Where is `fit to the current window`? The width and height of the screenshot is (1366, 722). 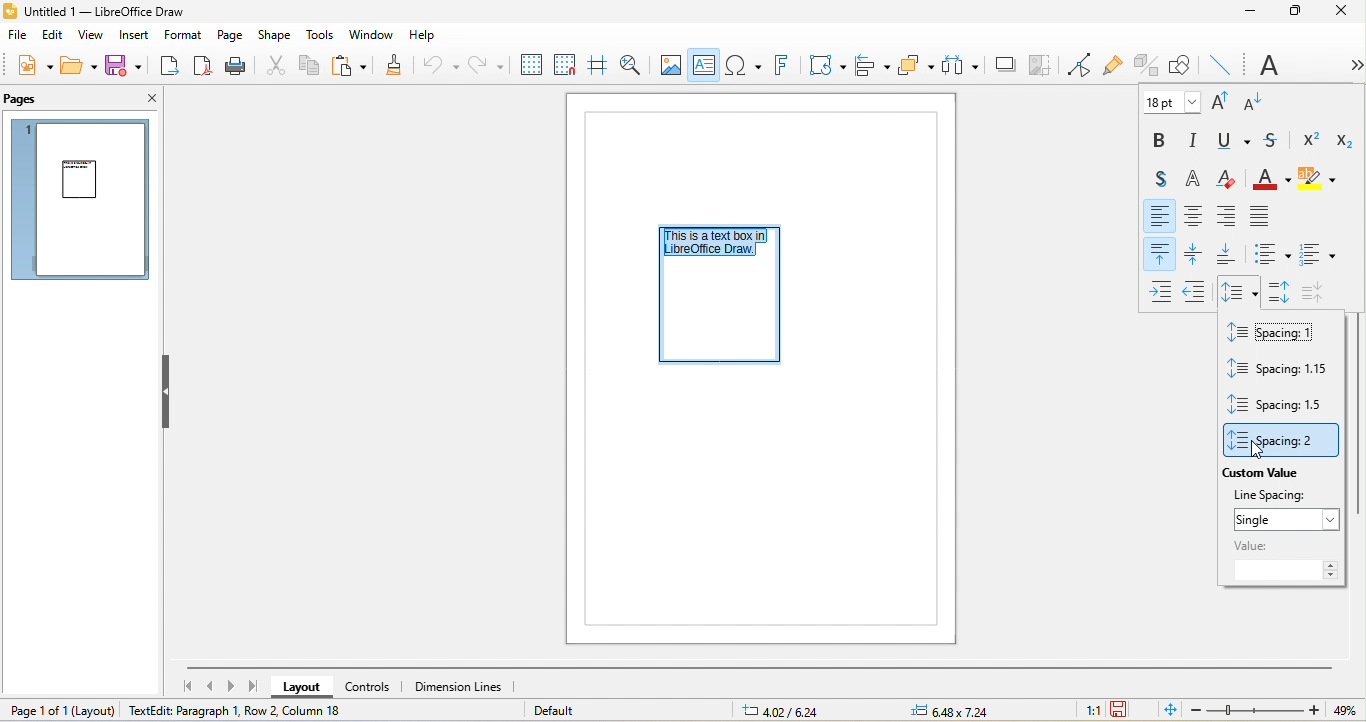
fit to the current window is located at coordinates (1167, 711).